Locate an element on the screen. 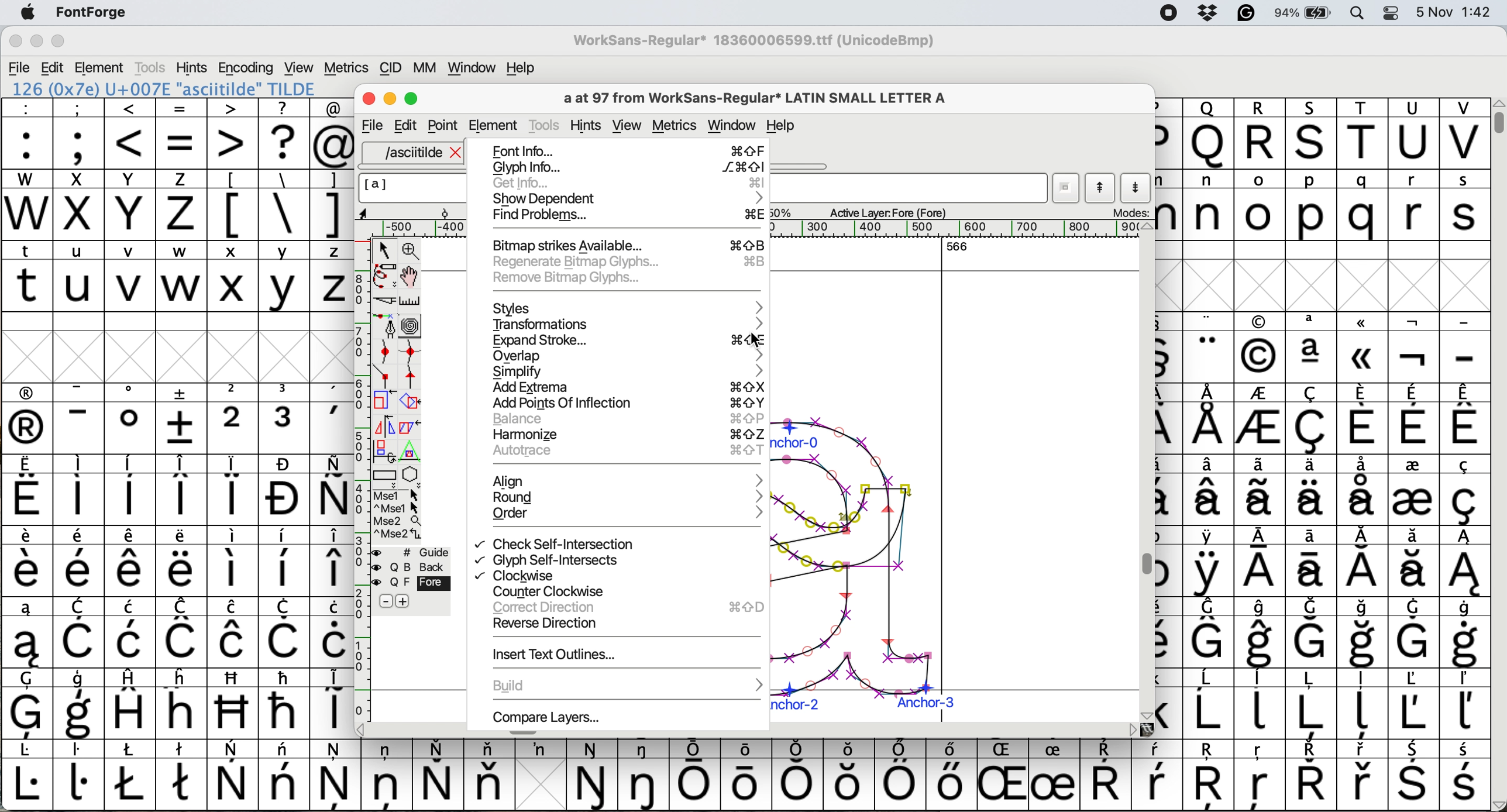 Image resolution: width=1507 pixels, height=812 pixels. add a  point then drag out its control points is located at coordinates (386, 325).